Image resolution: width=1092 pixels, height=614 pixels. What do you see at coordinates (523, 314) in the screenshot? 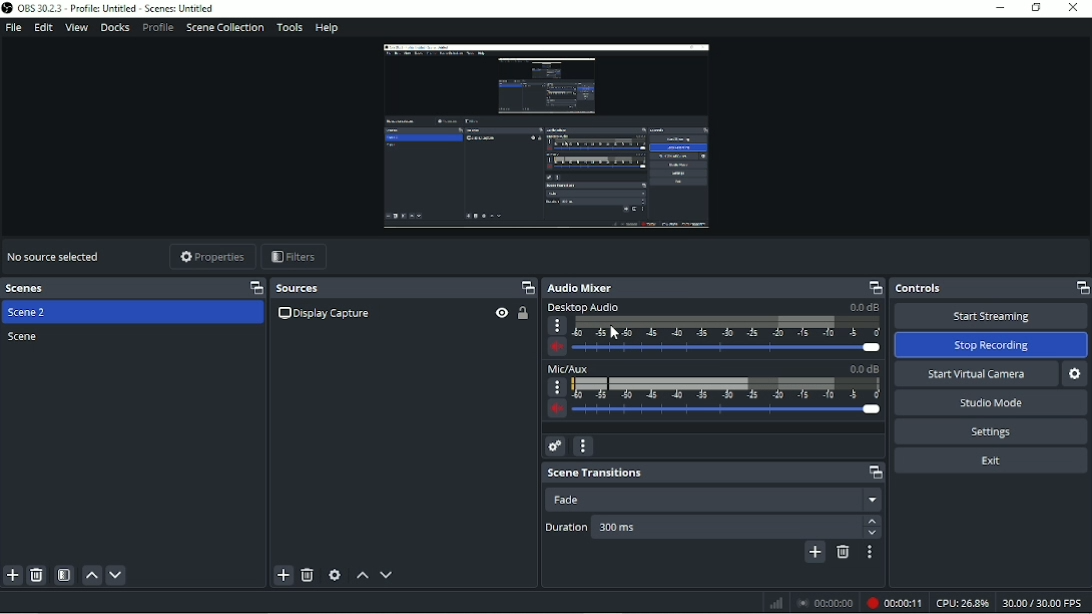
I see `Lock` at bounding box center [523, 314].